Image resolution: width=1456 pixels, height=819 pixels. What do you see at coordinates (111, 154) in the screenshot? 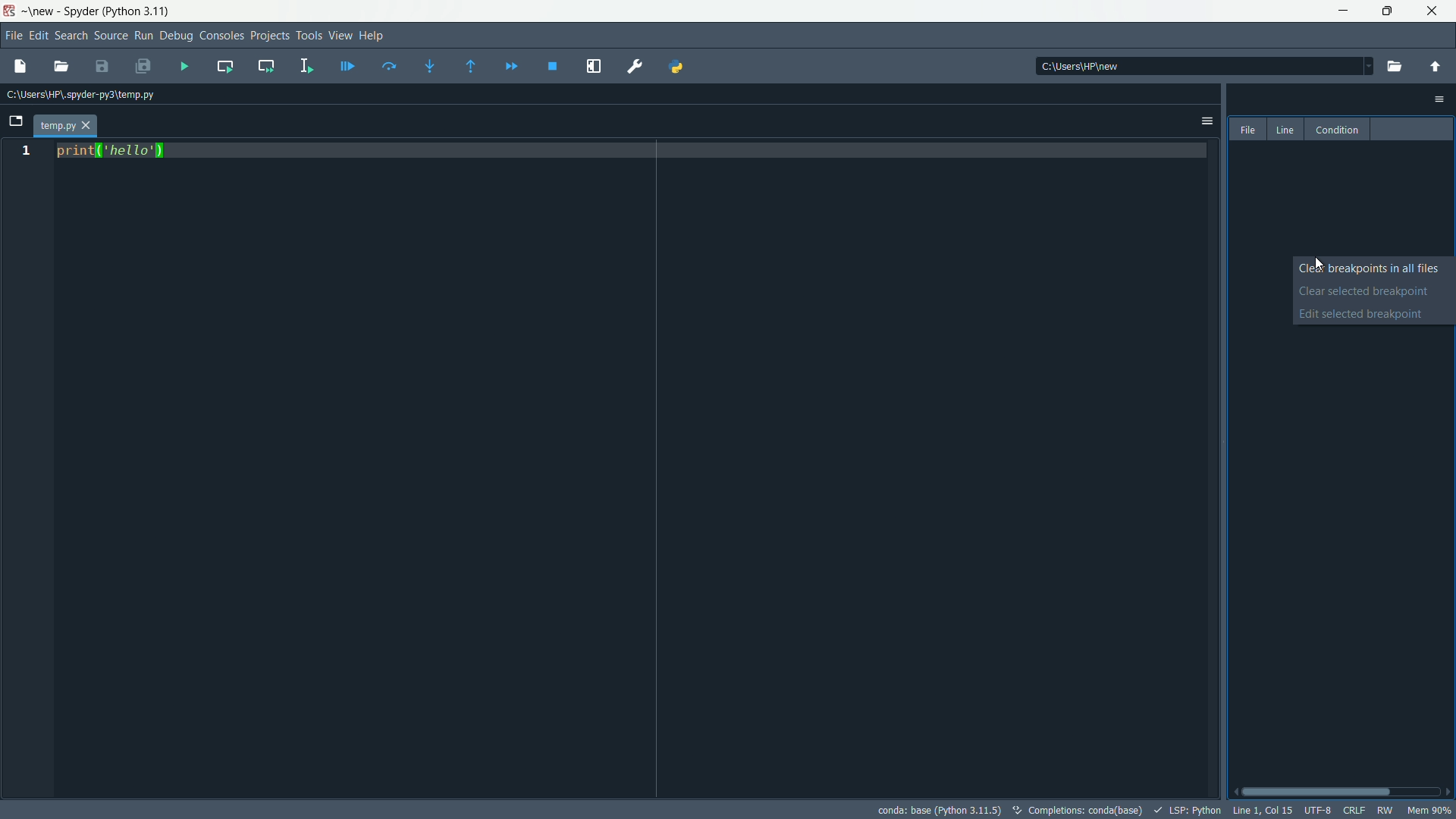
I see `print ('hello')` at bounding box center [111, 154].